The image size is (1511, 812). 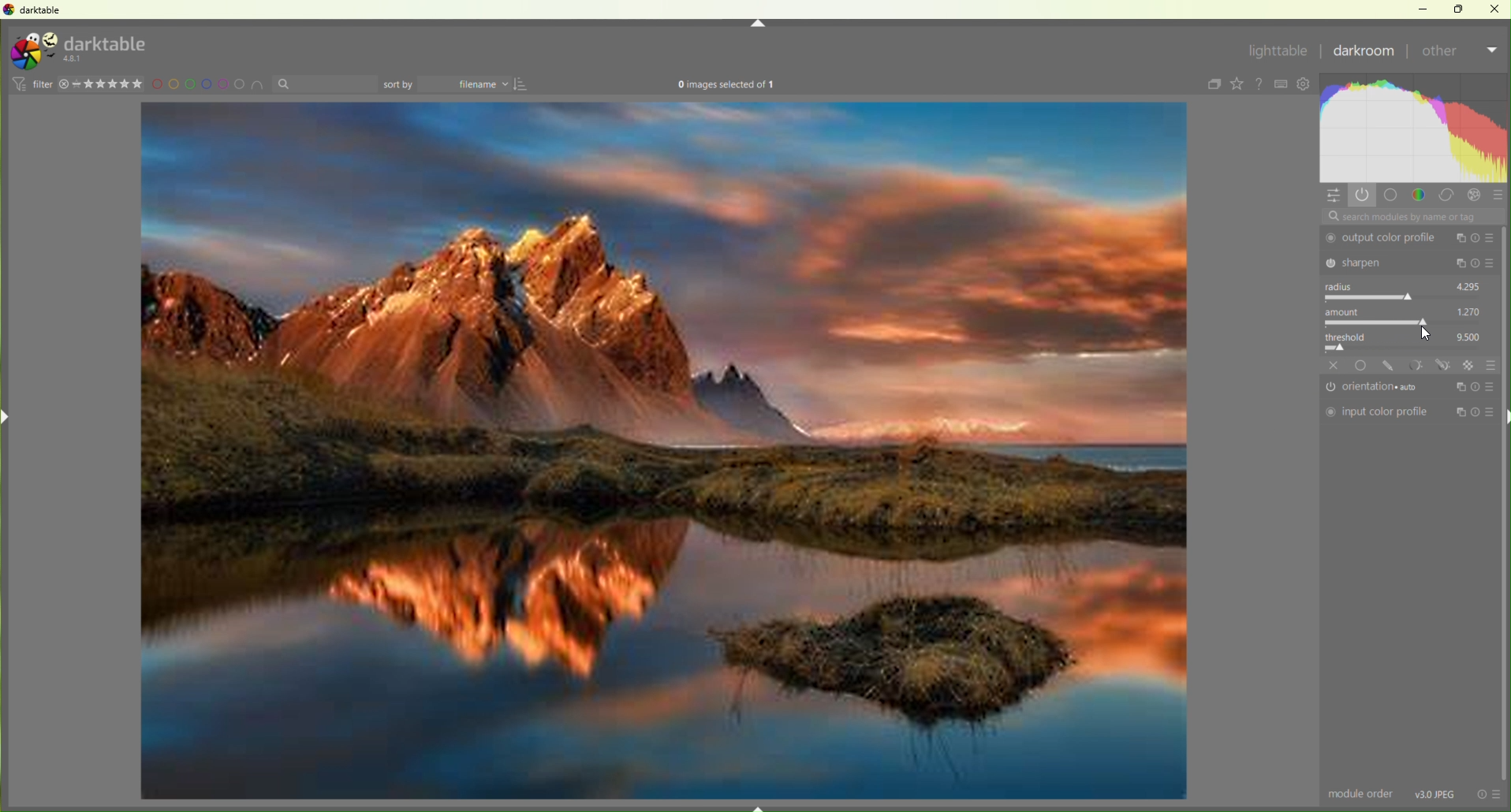 What do you see at coordinates (107, 42) in the screenshot?
I see `darktable` at bounding box center [107, 42].